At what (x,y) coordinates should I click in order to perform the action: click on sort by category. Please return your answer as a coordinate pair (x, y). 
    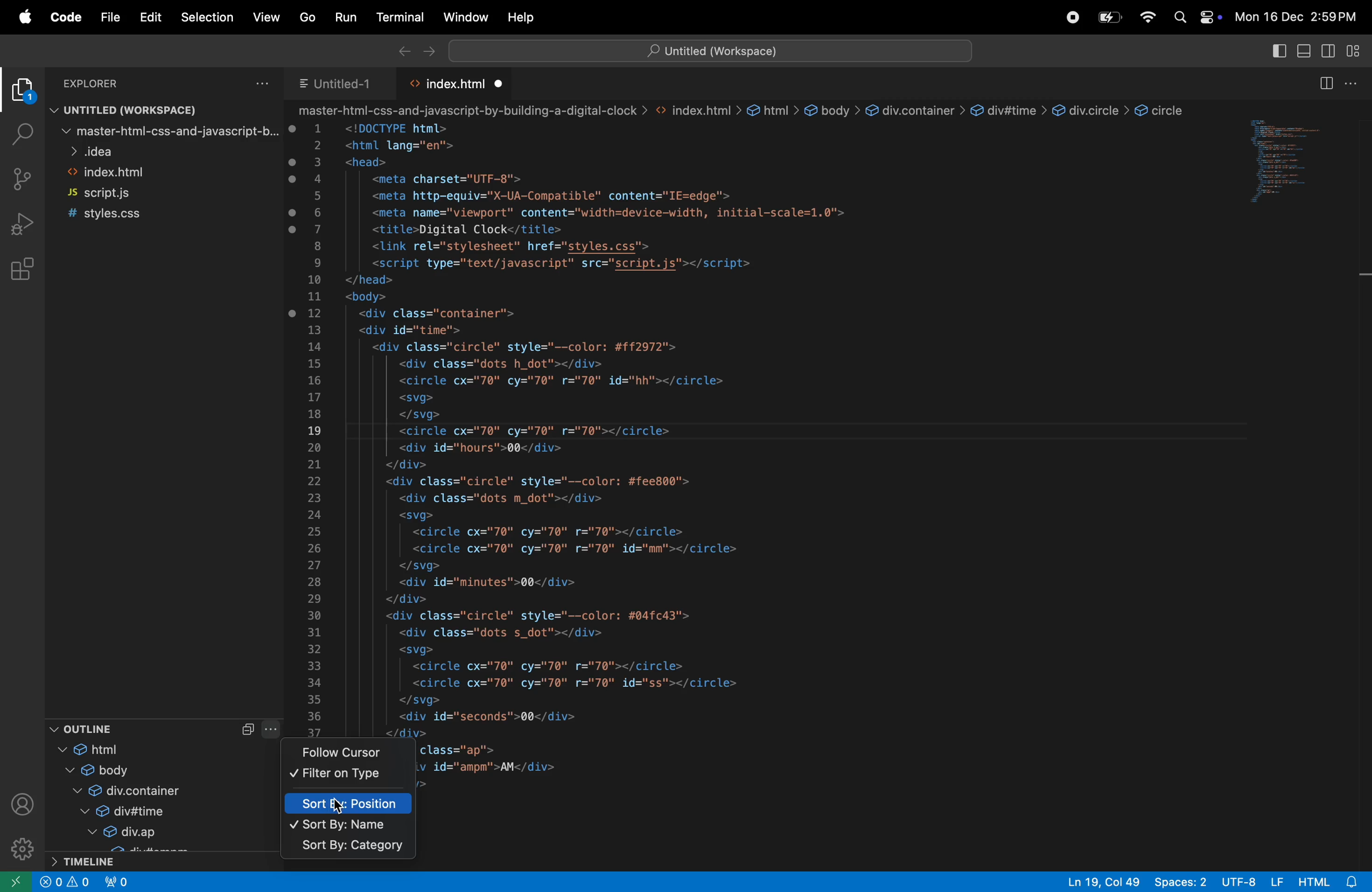
    Looking at the image, I should click on (348, 849).